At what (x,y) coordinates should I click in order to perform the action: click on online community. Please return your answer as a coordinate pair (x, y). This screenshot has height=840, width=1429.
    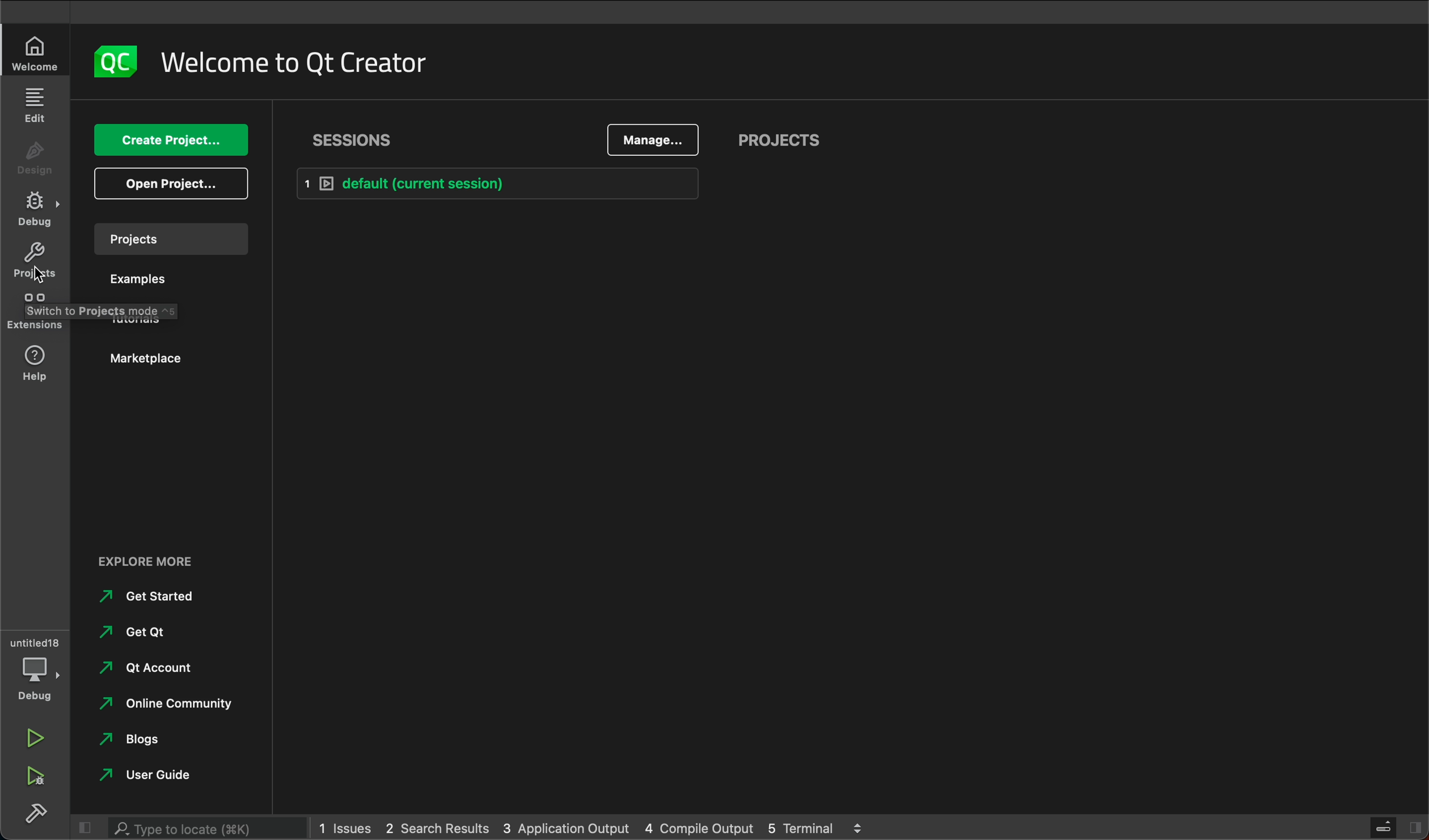
    Looking at the image, I should click on (164, 704).